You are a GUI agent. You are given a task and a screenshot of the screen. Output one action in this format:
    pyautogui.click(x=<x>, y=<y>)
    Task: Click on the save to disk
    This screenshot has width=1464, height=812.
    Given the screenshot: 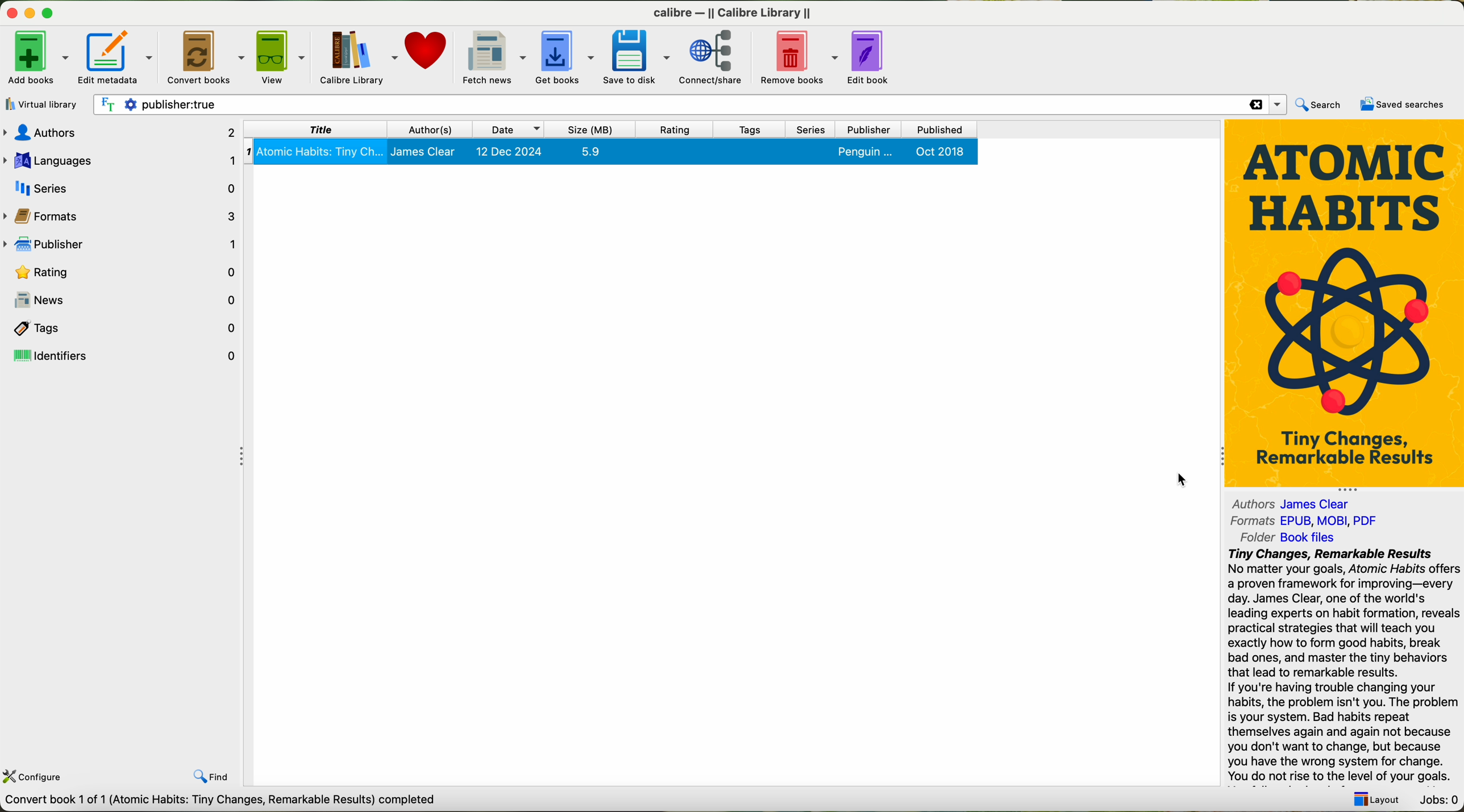 What is the action you would take?
    pyautogui.click(x=634, y=57)
    